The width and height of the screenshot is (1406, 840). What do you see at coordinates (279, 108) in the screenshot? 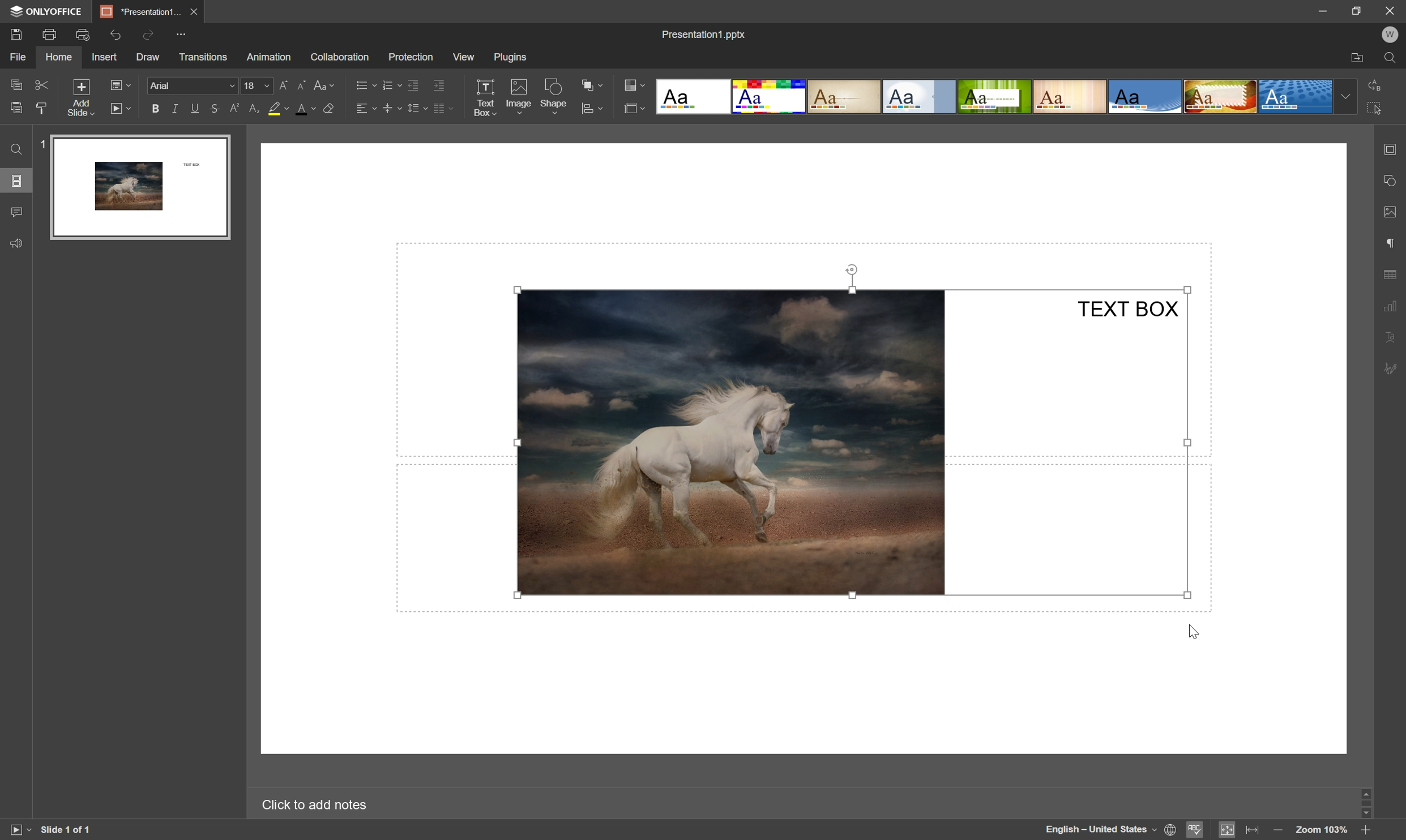
I see `background color` at bounding box center [279, 108].